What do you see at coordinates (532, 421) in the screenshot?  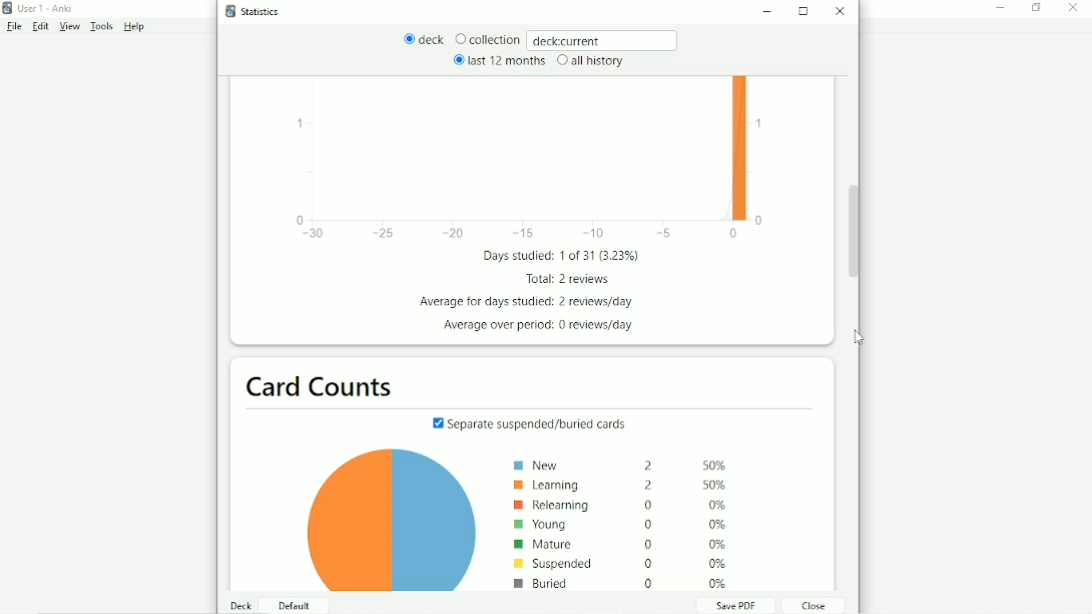 I see `8 Separate suspended/buried cards` at bounding box center [532, 421].